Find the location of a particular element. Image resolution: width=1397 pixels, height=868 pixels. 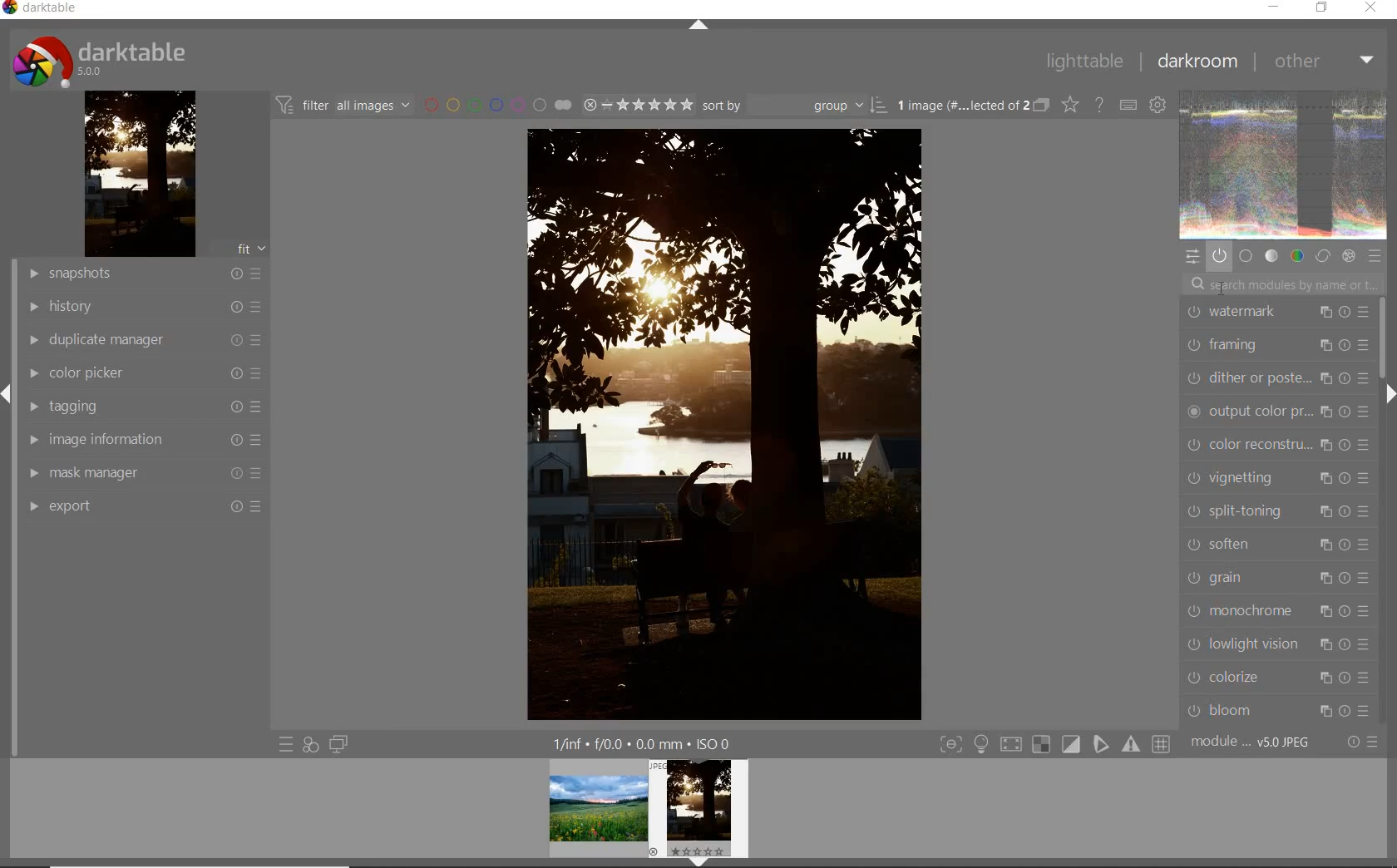

reset or presets & preferences is located at coordinates (1362, 742).